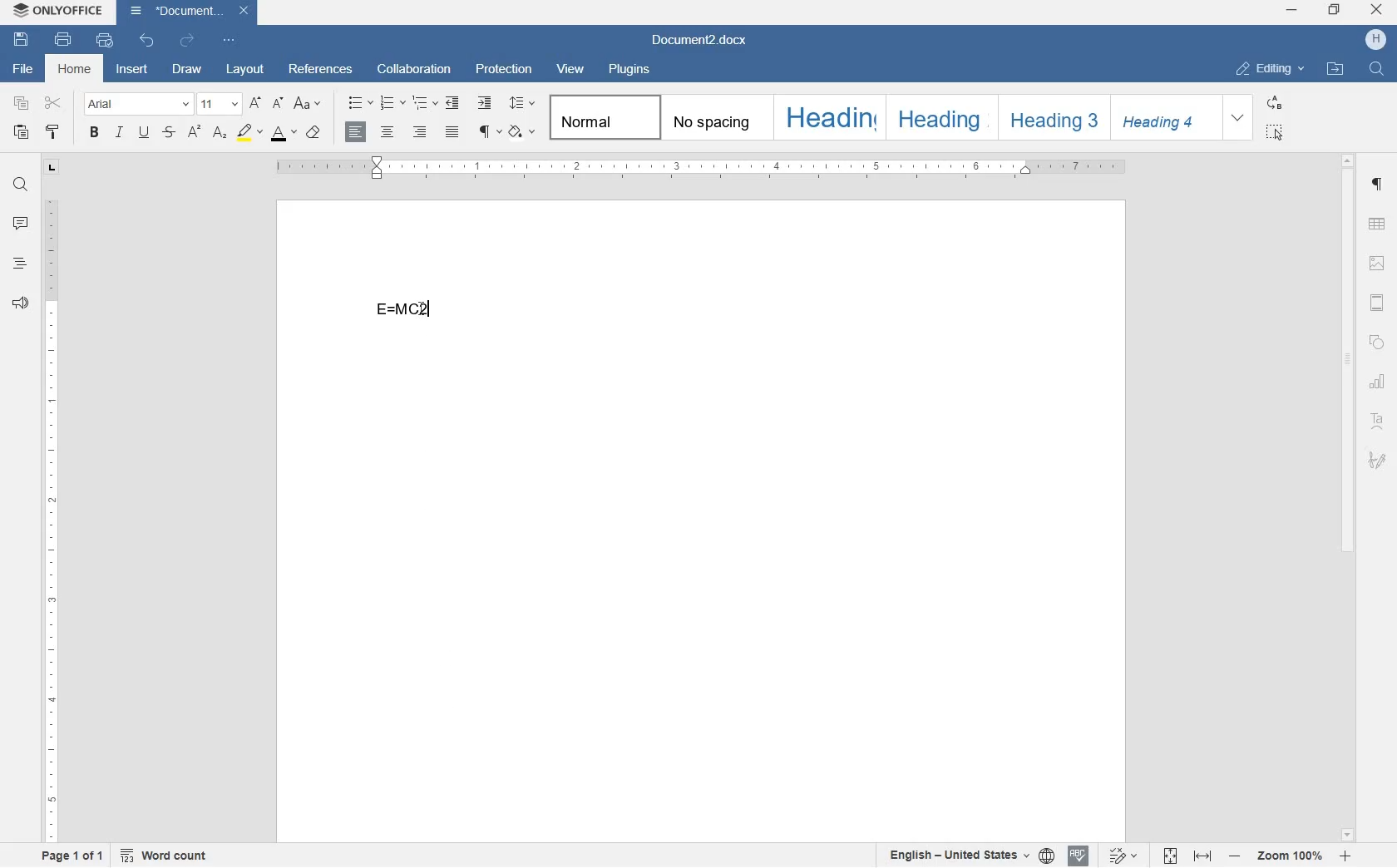 This screenshot has height=868, width=1397. Describe the element at coordinates (146, 131) in the screenshot. I see `underline` at that location.